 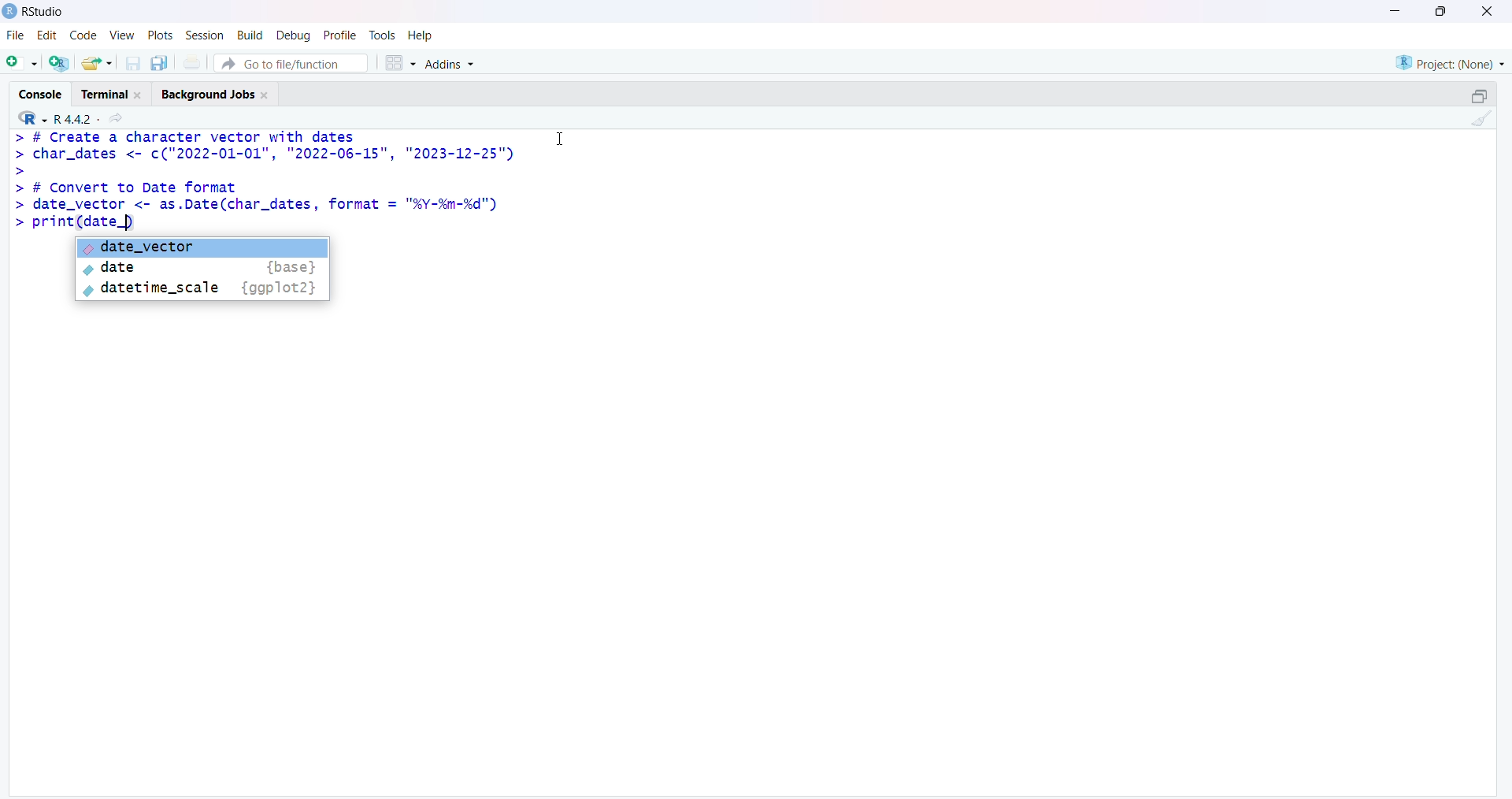 What do you see at coordinates (120, 117) in the screenshot?
I see `View the current working directory` at bounding box center [120, 117].